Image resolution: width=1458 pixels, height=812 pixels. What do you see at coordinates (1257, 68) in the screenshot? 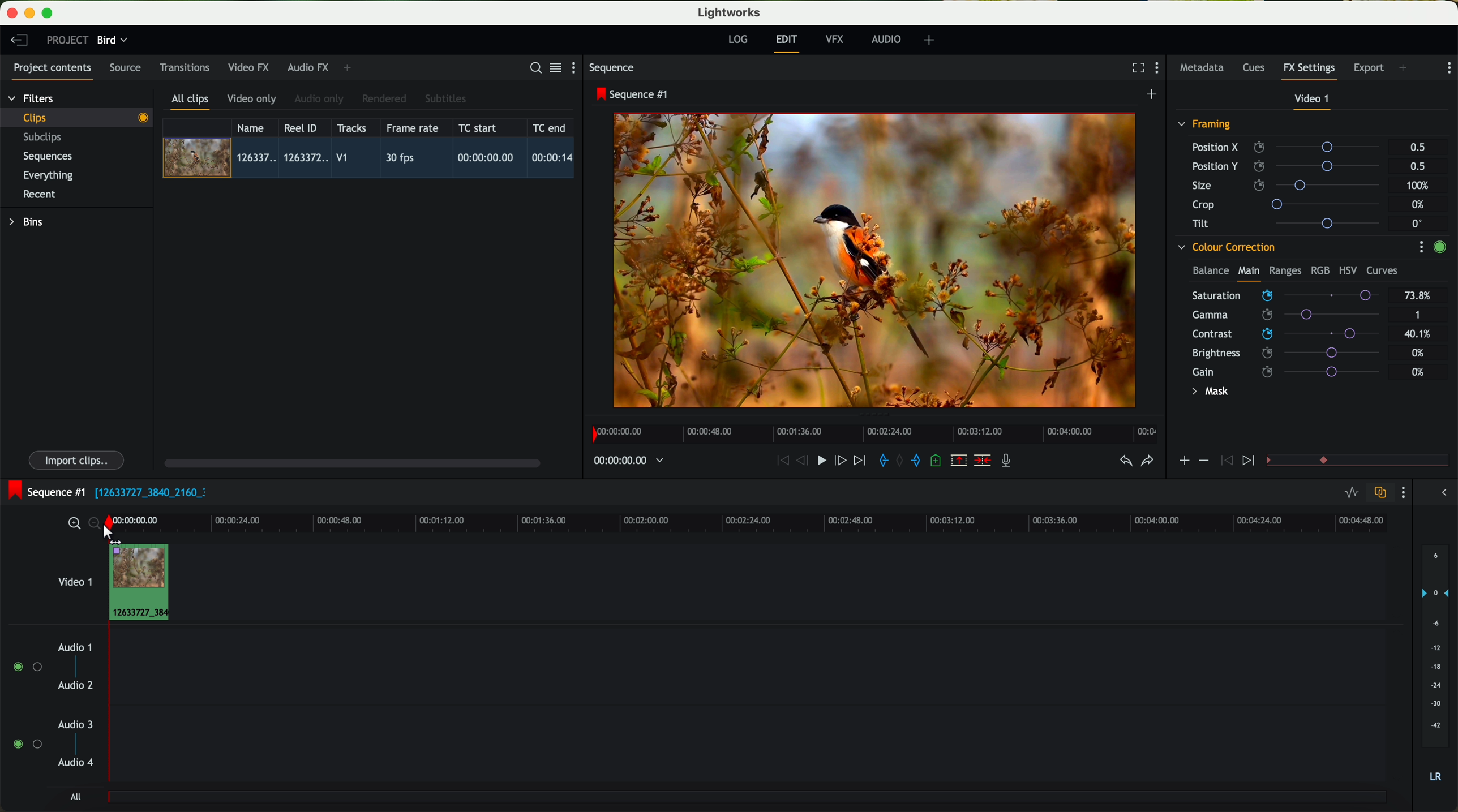
I see `cues` at bounding box center [1257, 68].